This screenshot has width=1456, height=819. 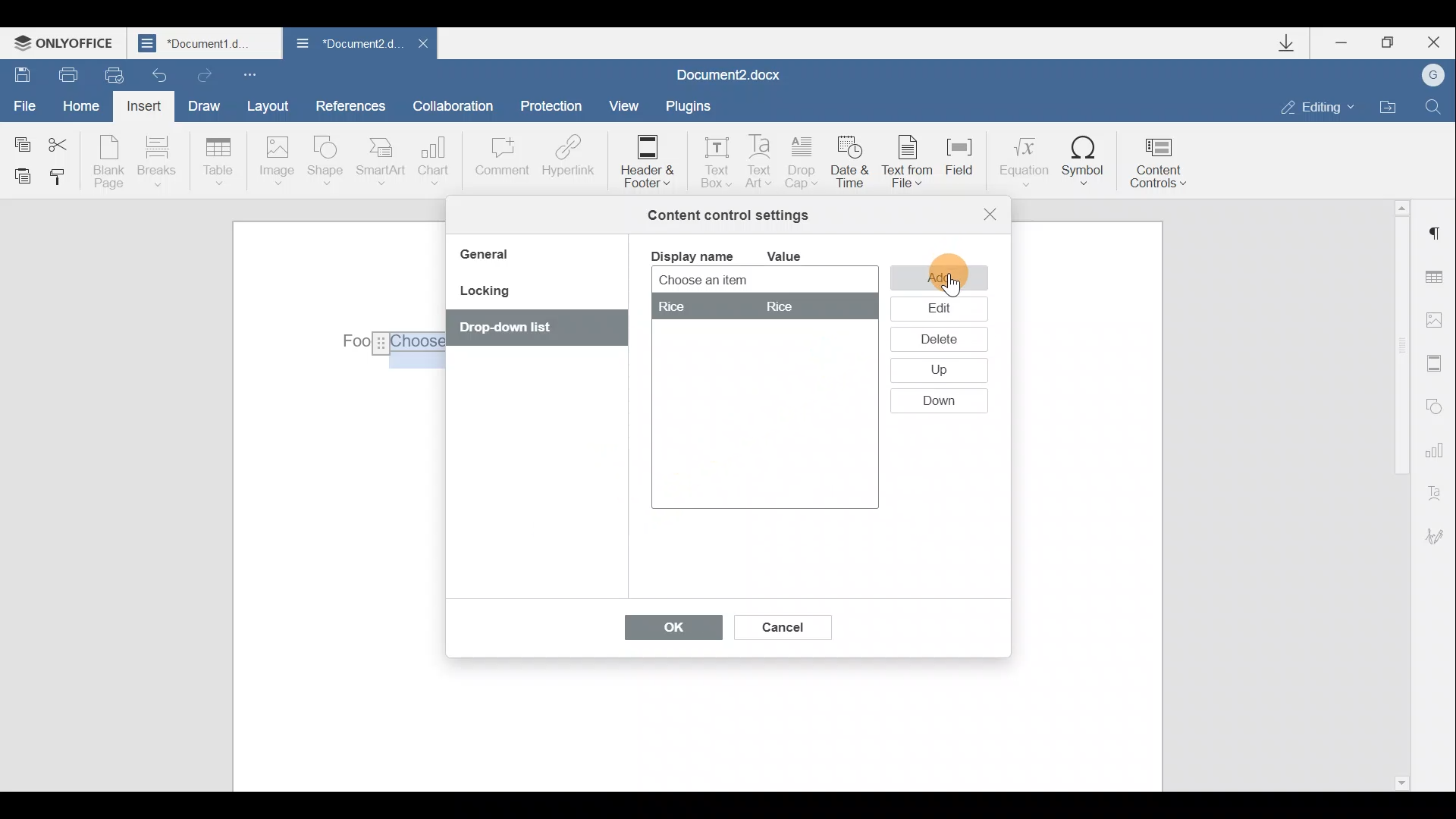 I want to click on Document2.docx, so click(x=730, y=73).